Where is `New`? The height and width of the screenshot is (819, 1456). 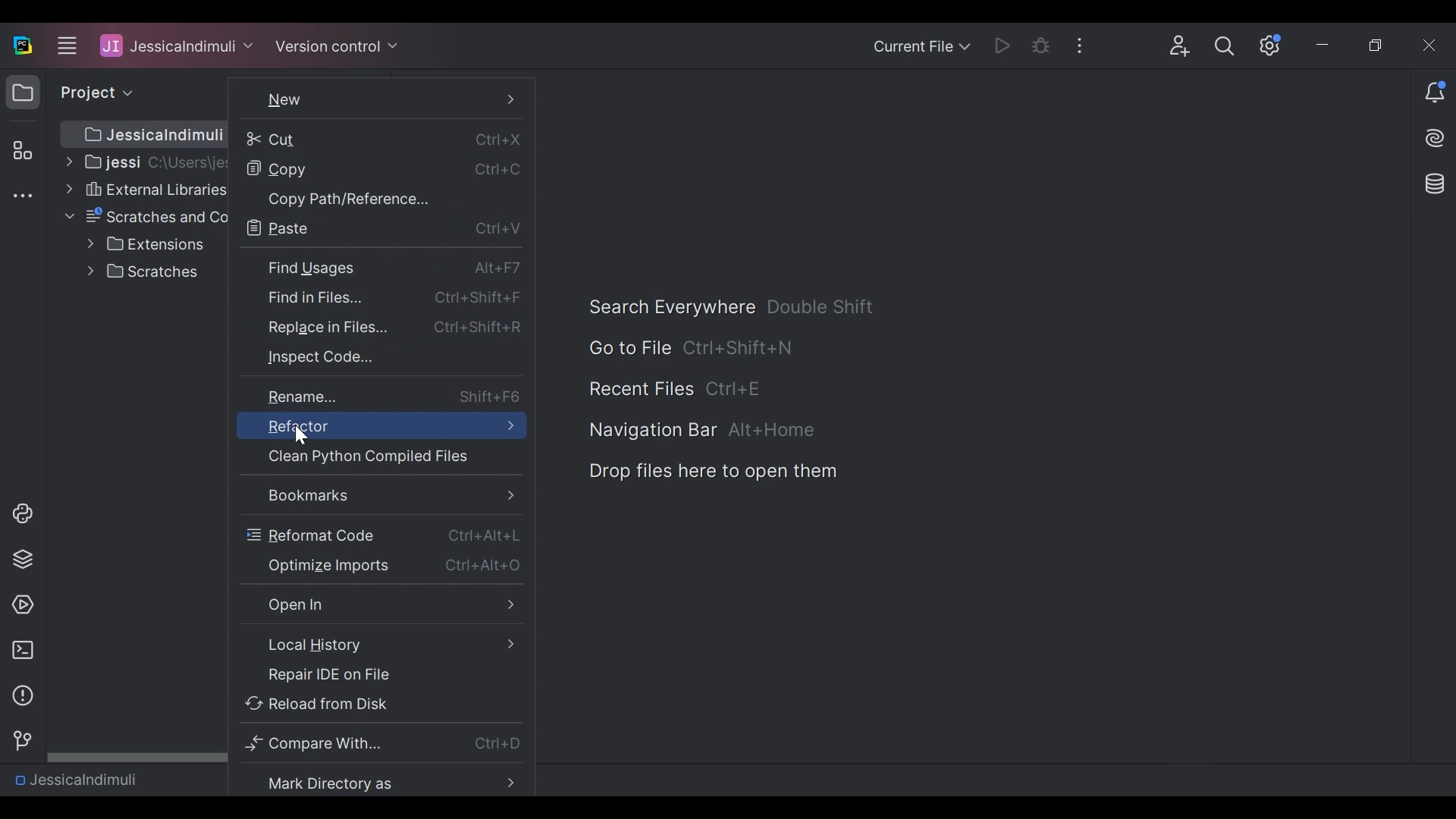
New is located at coordinates (381, 99).